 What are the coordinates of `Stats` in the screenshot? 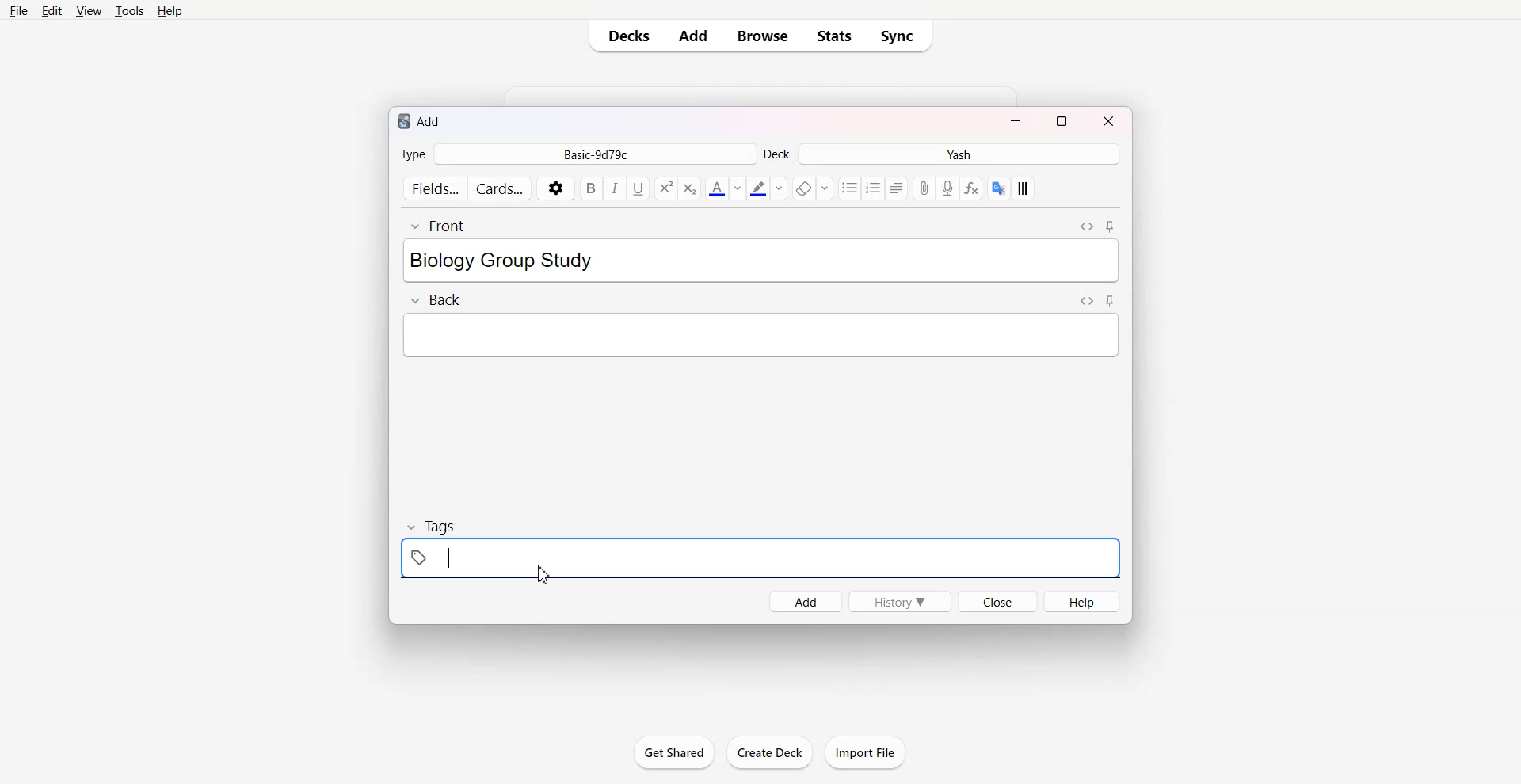 It's located at (835, 36).